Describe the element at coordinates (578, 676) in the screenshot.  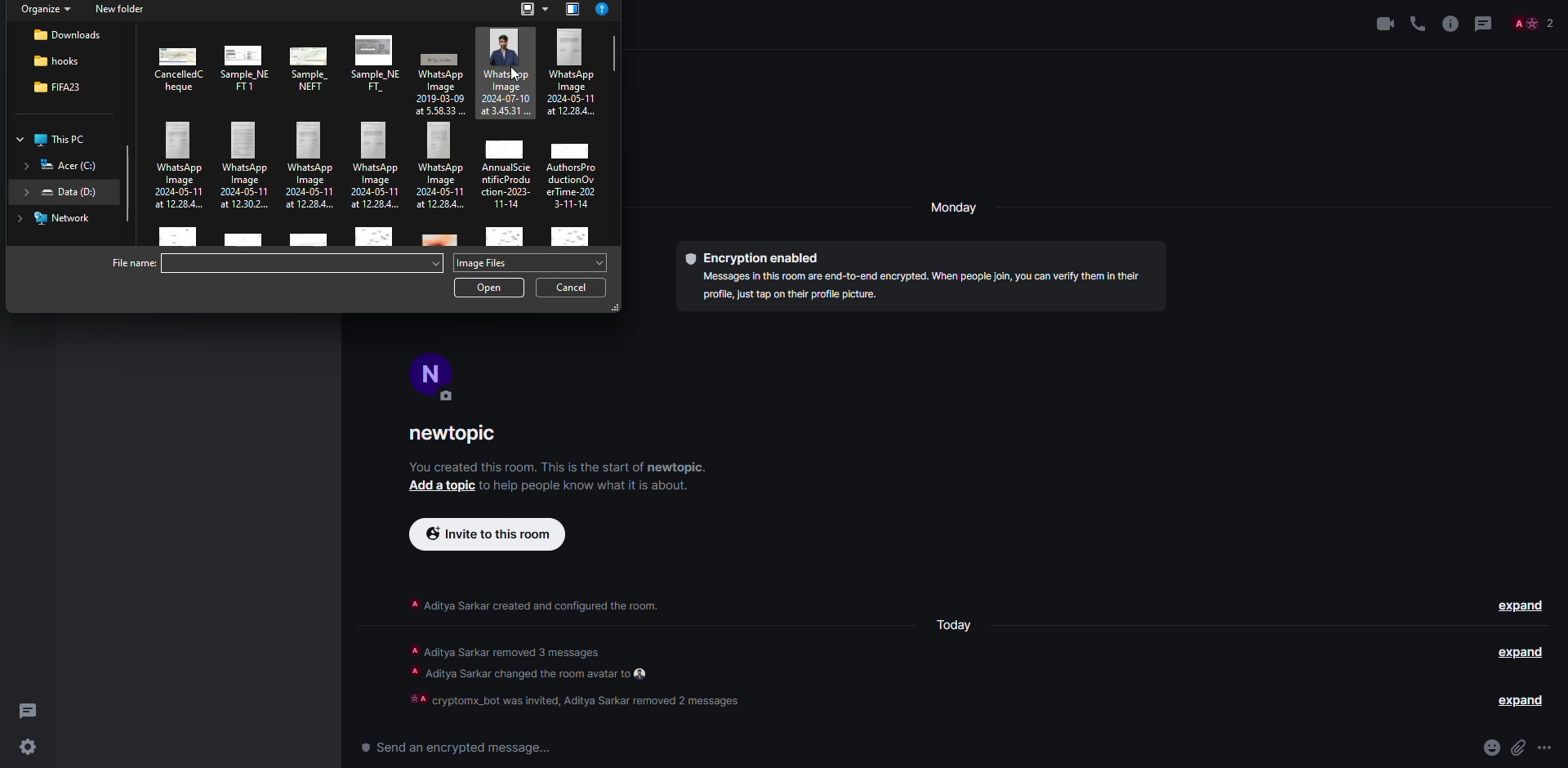
I see `info` at that location.